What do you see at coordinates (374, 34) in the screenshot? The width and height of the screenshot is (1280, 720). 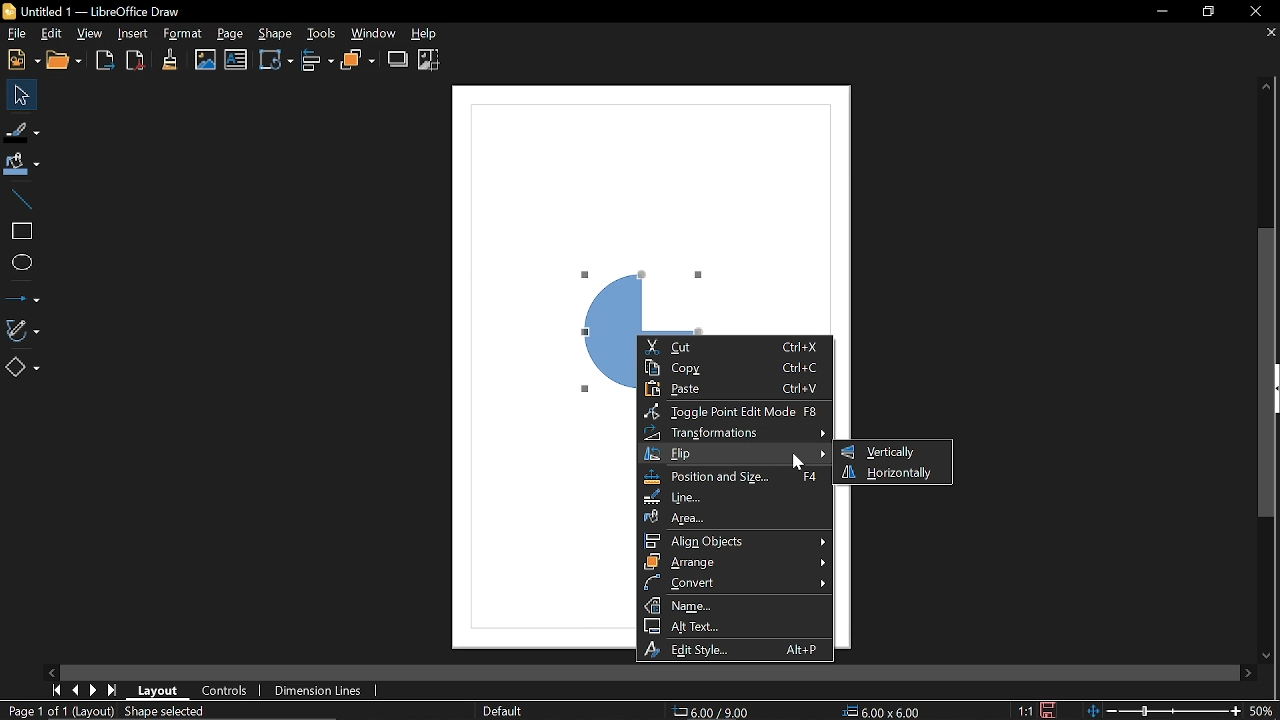 I see `Window` at bounding box center [374, 34].